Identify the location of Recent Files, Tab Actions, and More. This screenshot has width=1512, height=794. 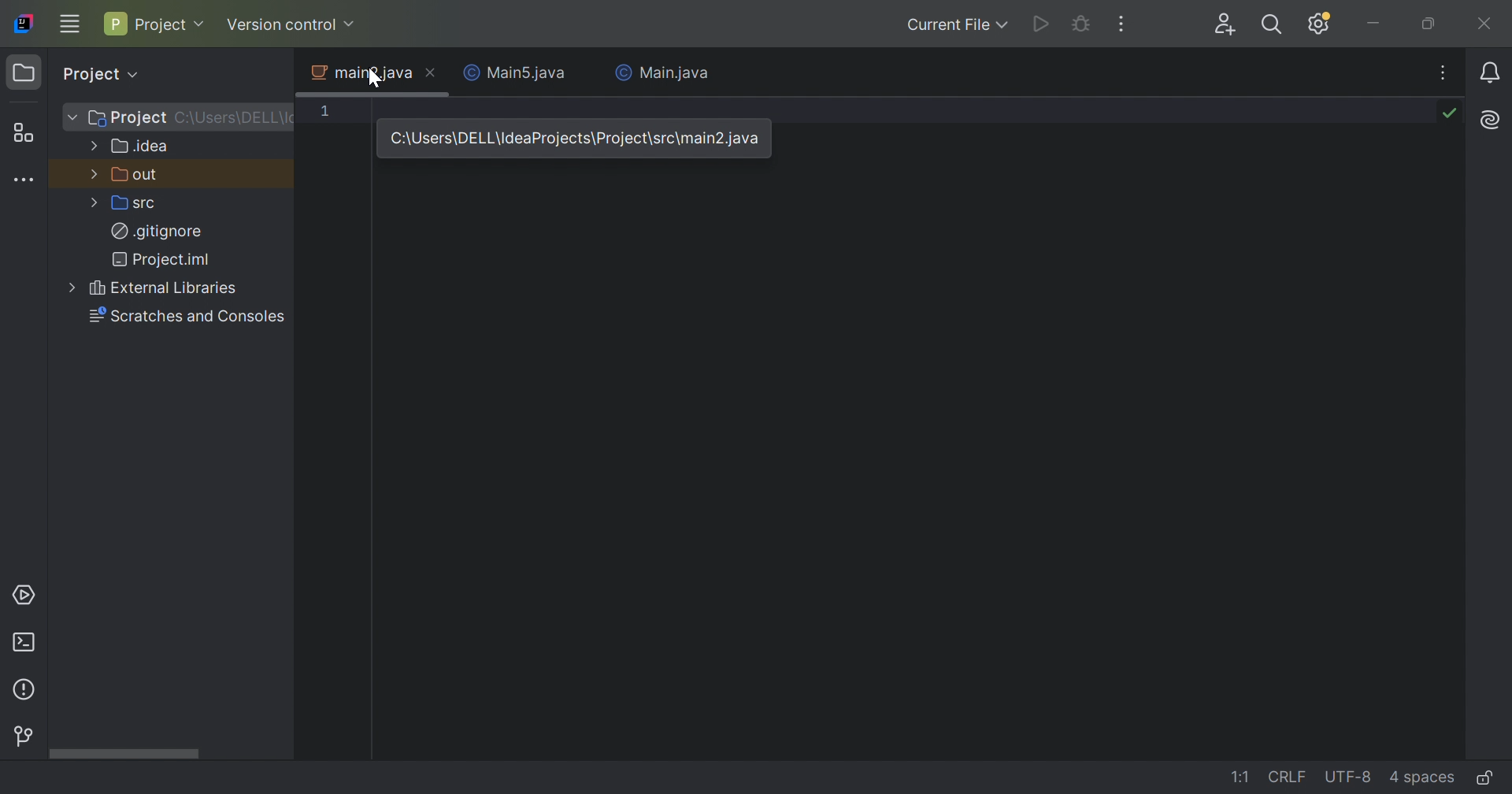
(1443, 71).